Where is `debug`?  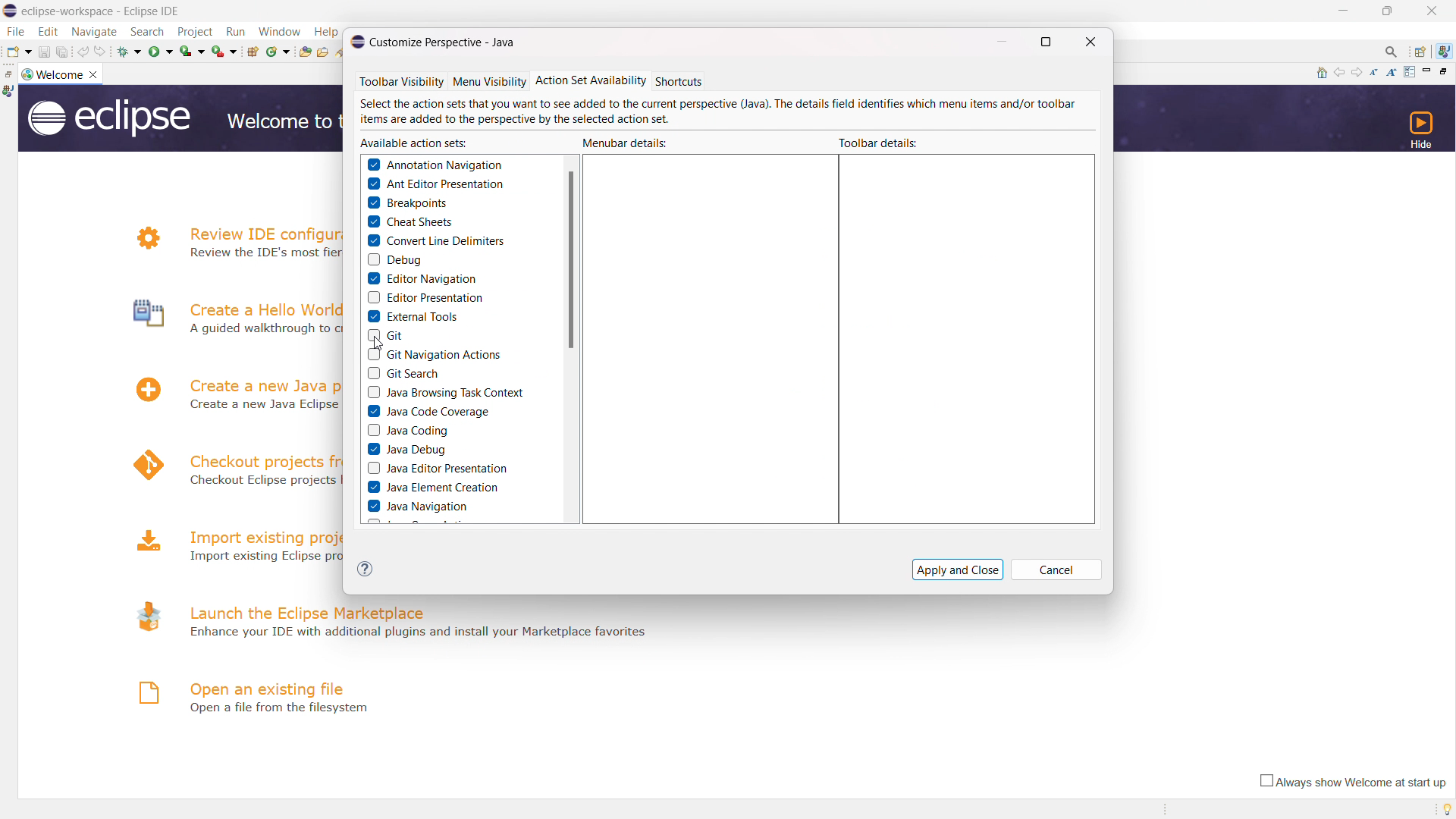 debug is located at coordinates (128, 52).